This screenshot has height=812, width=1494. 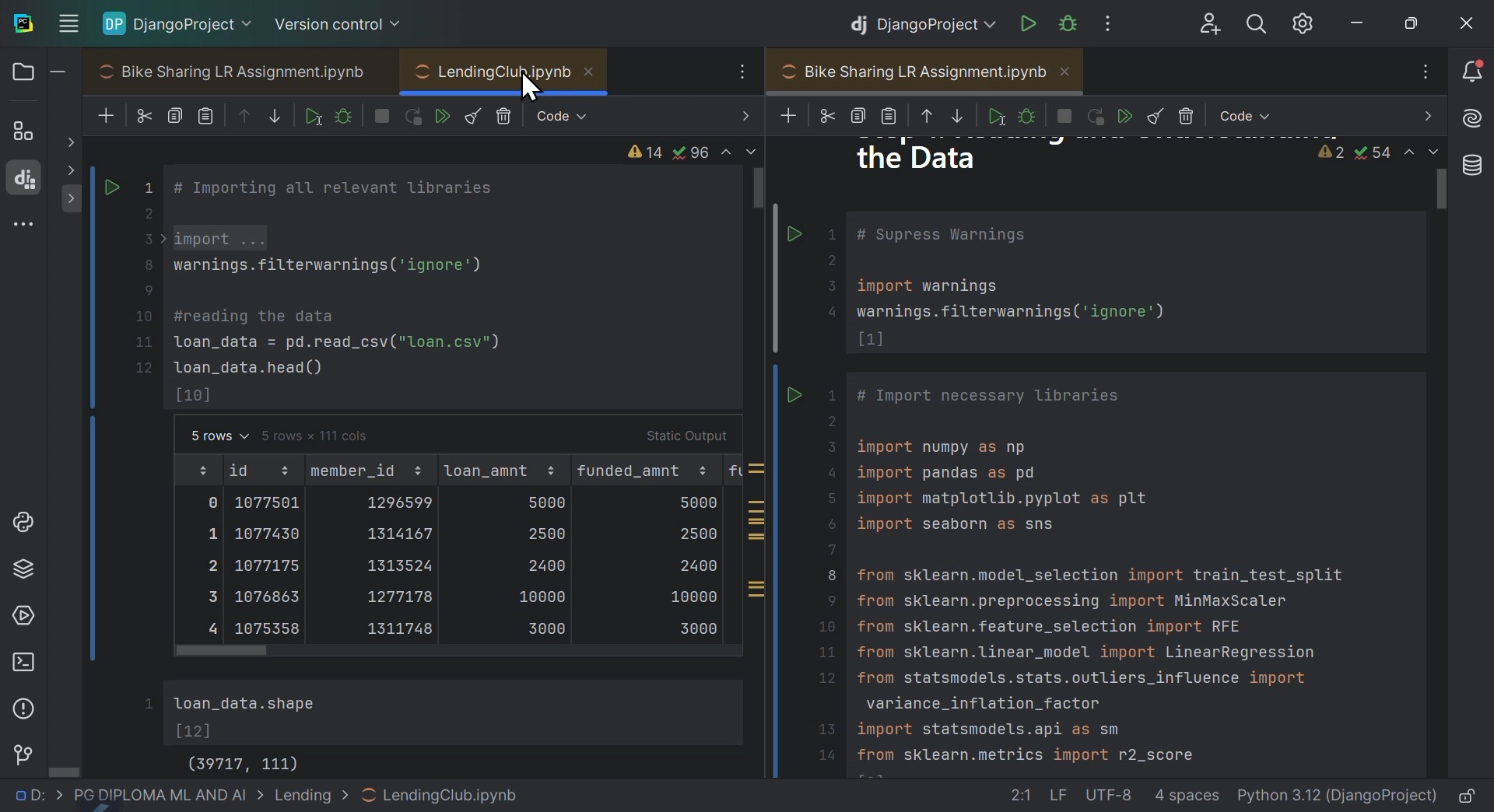 I want to click on , so click(x=926, y=115).